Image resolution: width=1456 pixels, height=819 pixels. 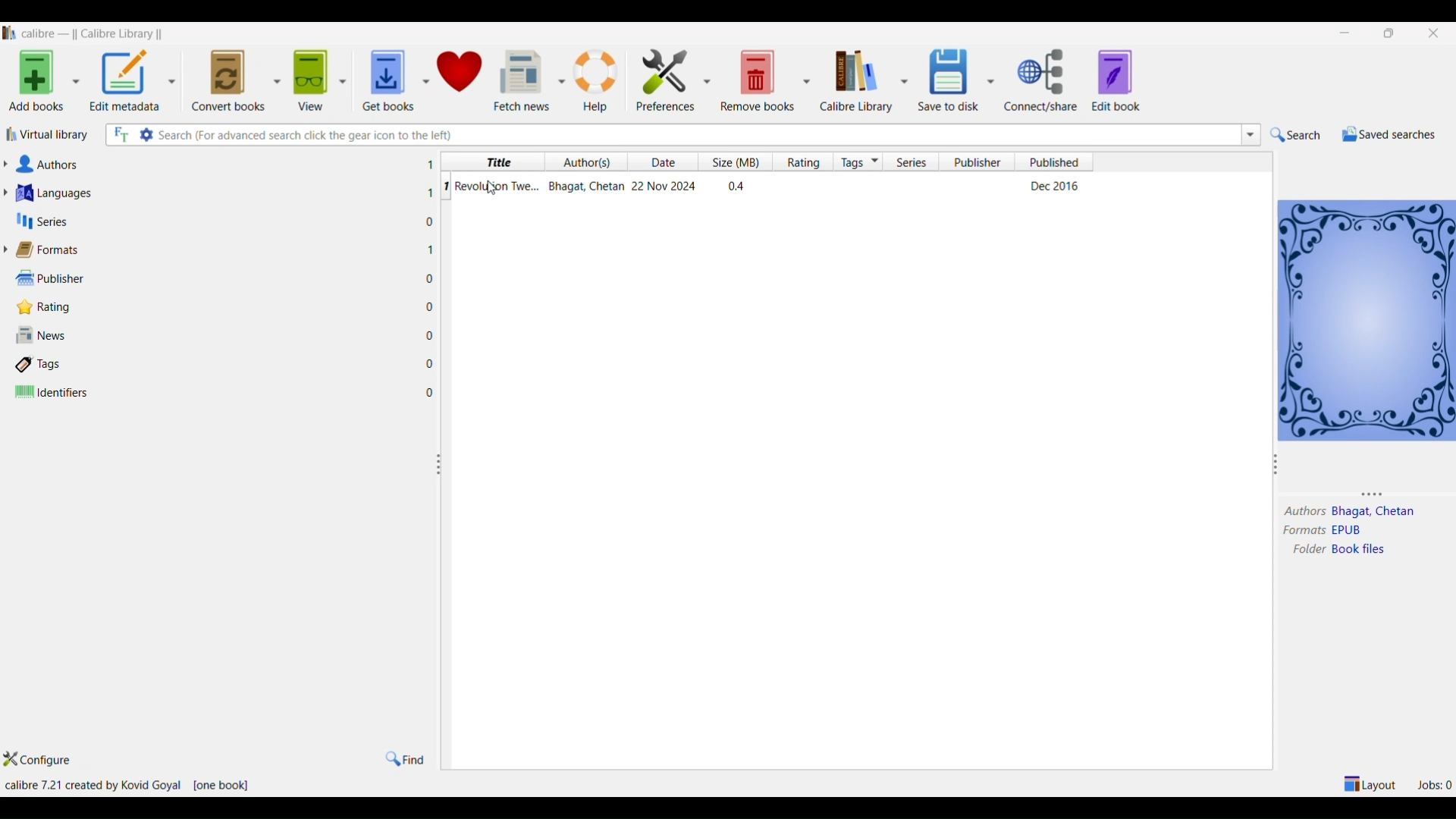 What do you see at coordinates (697, 134) in the screenshot?
I see `search box ` at bounding box center [697, 134].